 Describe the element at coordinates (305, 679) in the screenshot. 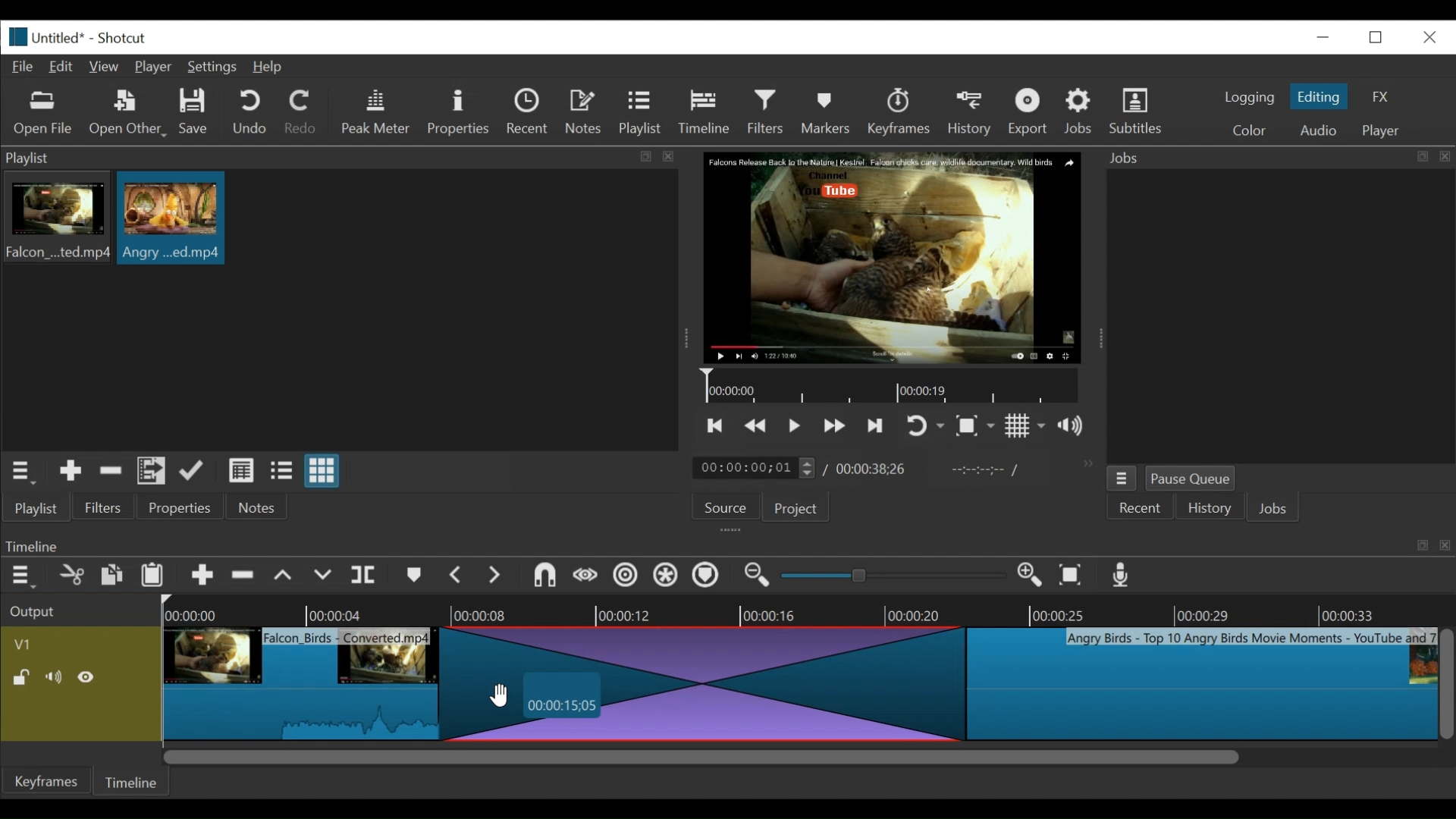

I see `clip` at that location.